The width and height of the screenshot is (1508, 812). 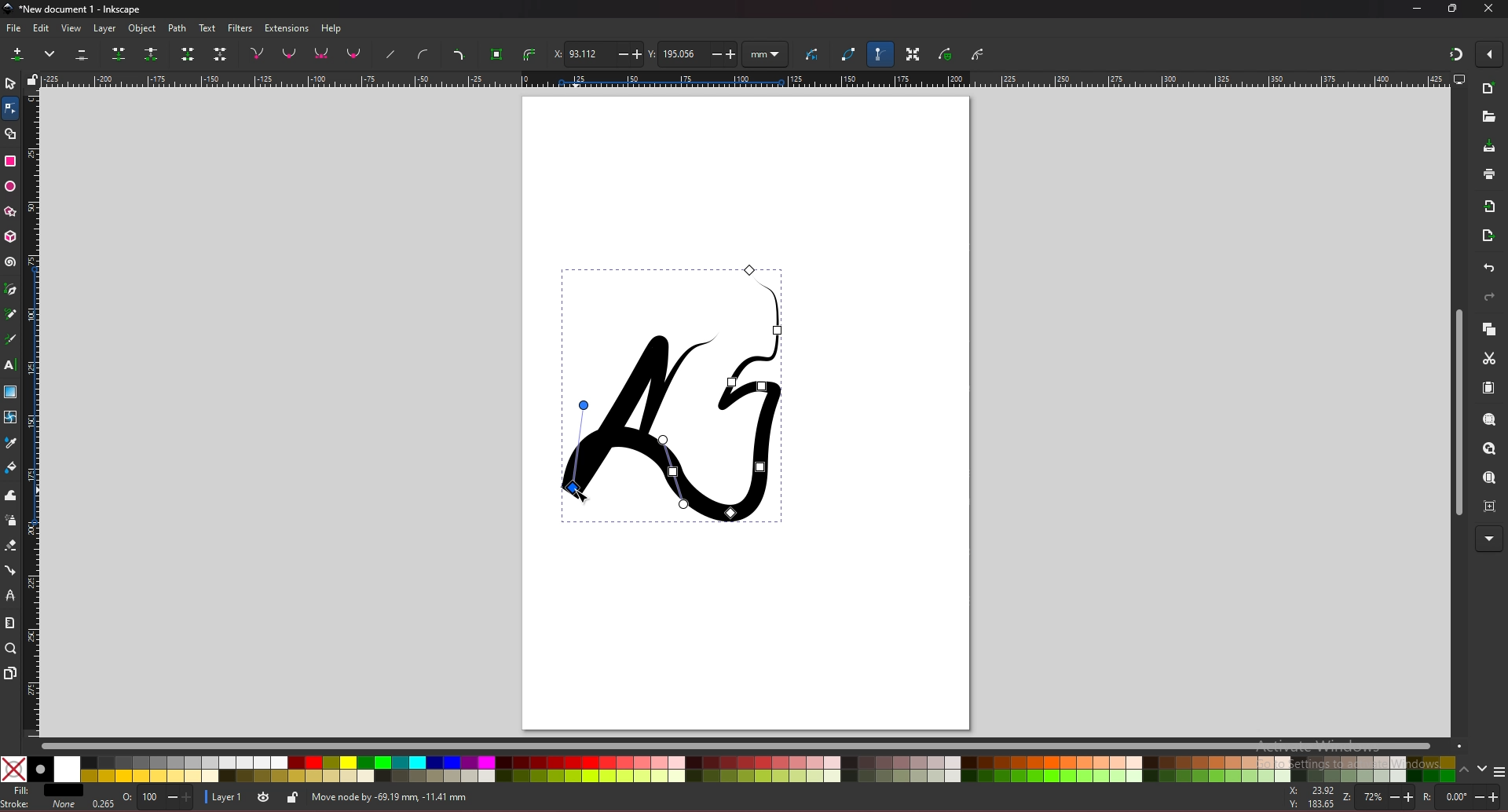 I want to click on extensions, so click(x=287, y=28).